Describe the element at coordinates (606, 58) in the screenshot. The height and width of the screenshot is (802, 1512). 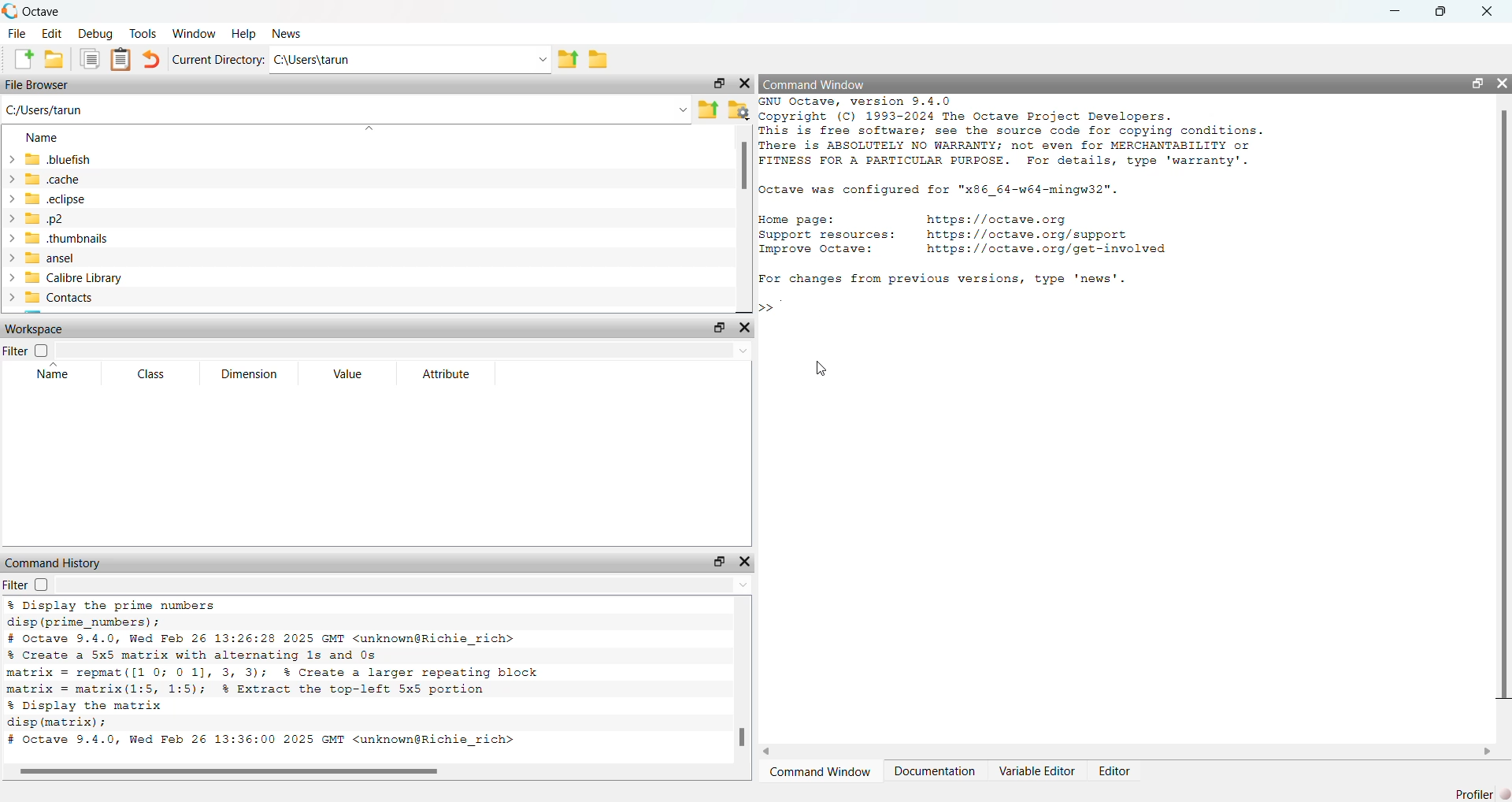
I see `browse directories` at that location.